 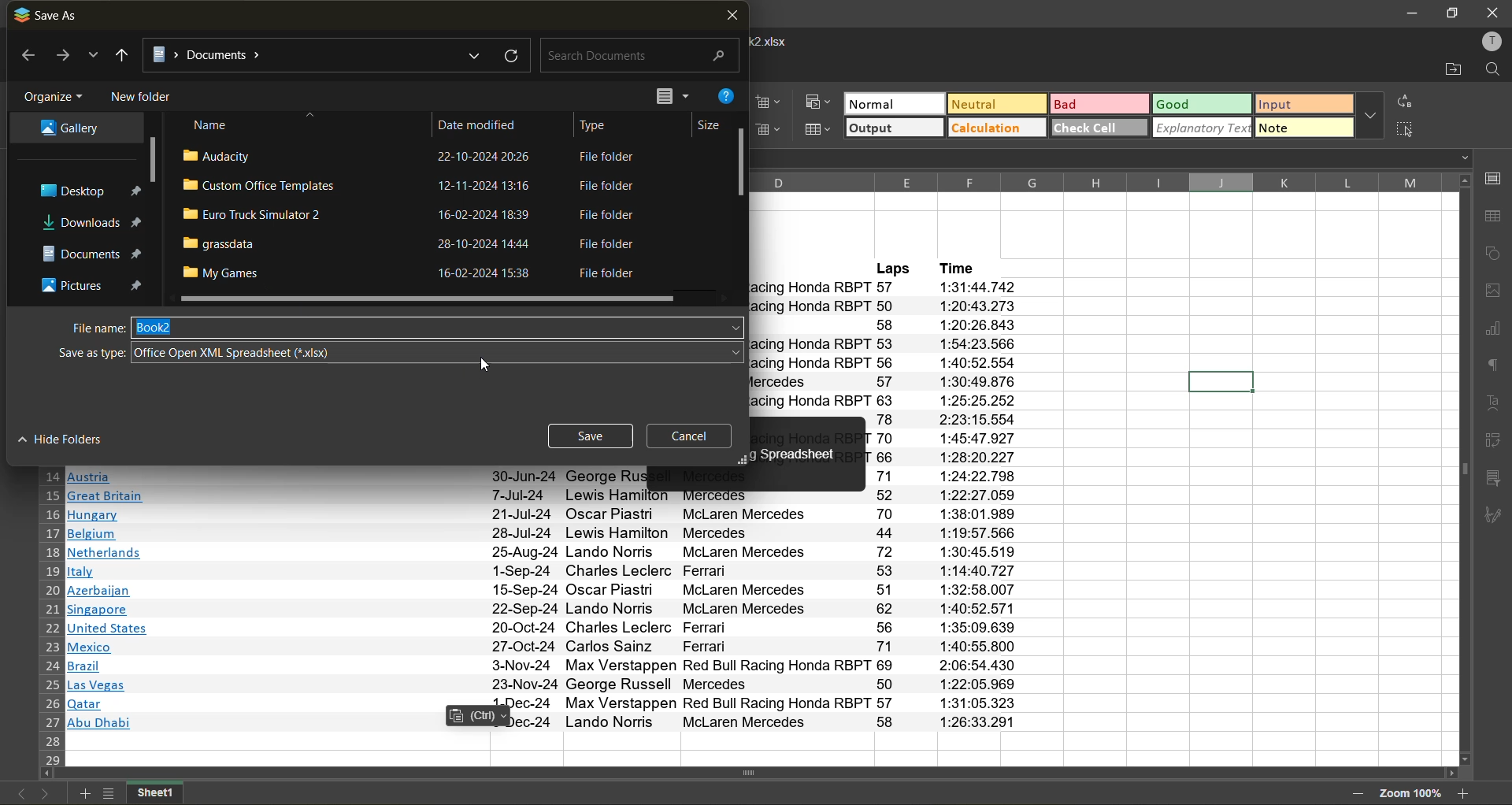 What do you see at coordinates (24, 57) in the screenshot?
I see `back` at bounding box center [24, 57].